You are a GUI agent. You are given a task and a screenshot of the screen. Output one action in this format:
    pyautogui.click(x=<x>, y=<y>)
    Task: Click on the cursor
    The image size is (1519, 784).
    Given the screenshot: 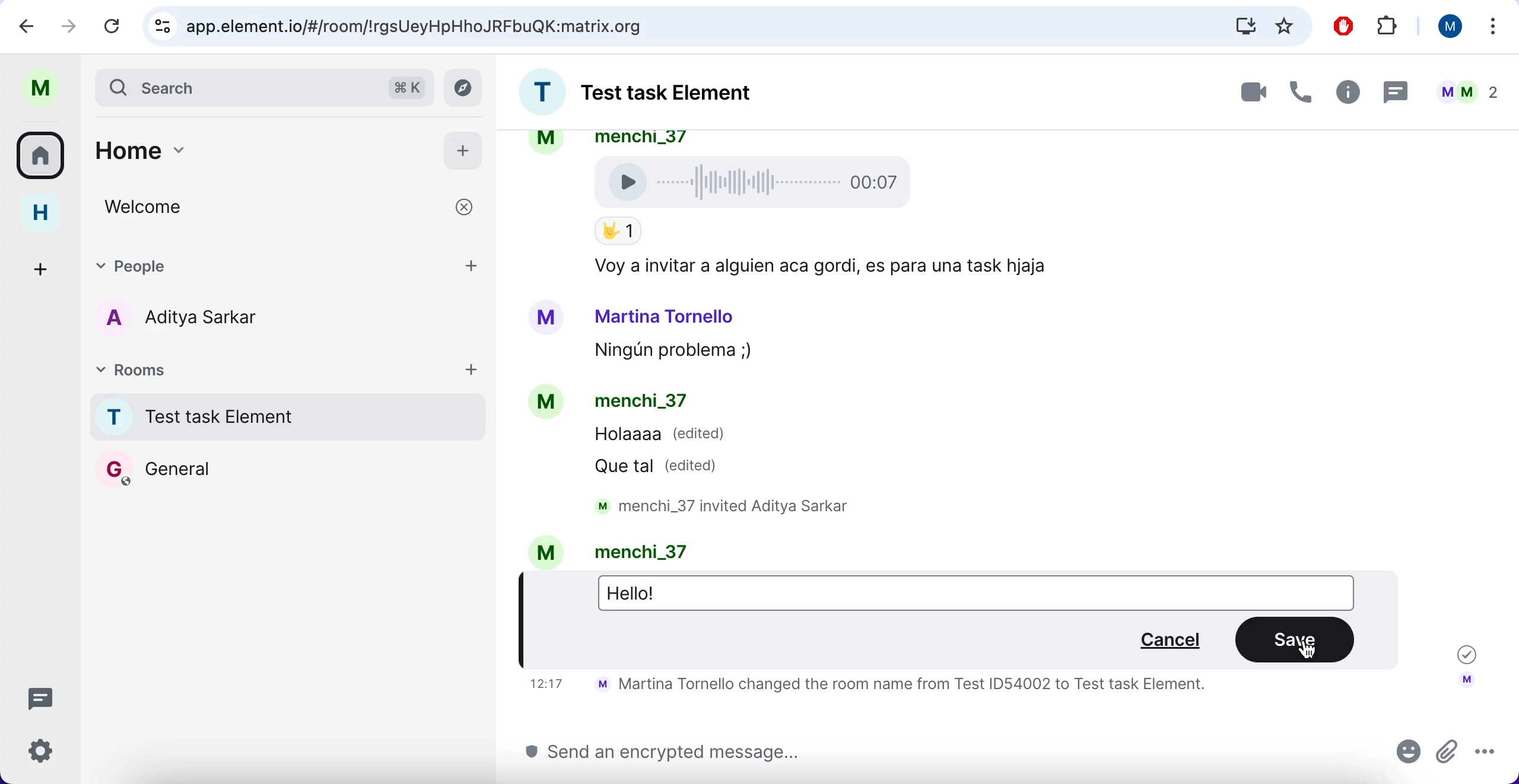 What is the action you would take?
    pyautogui.click(x=1308, y=650)
    